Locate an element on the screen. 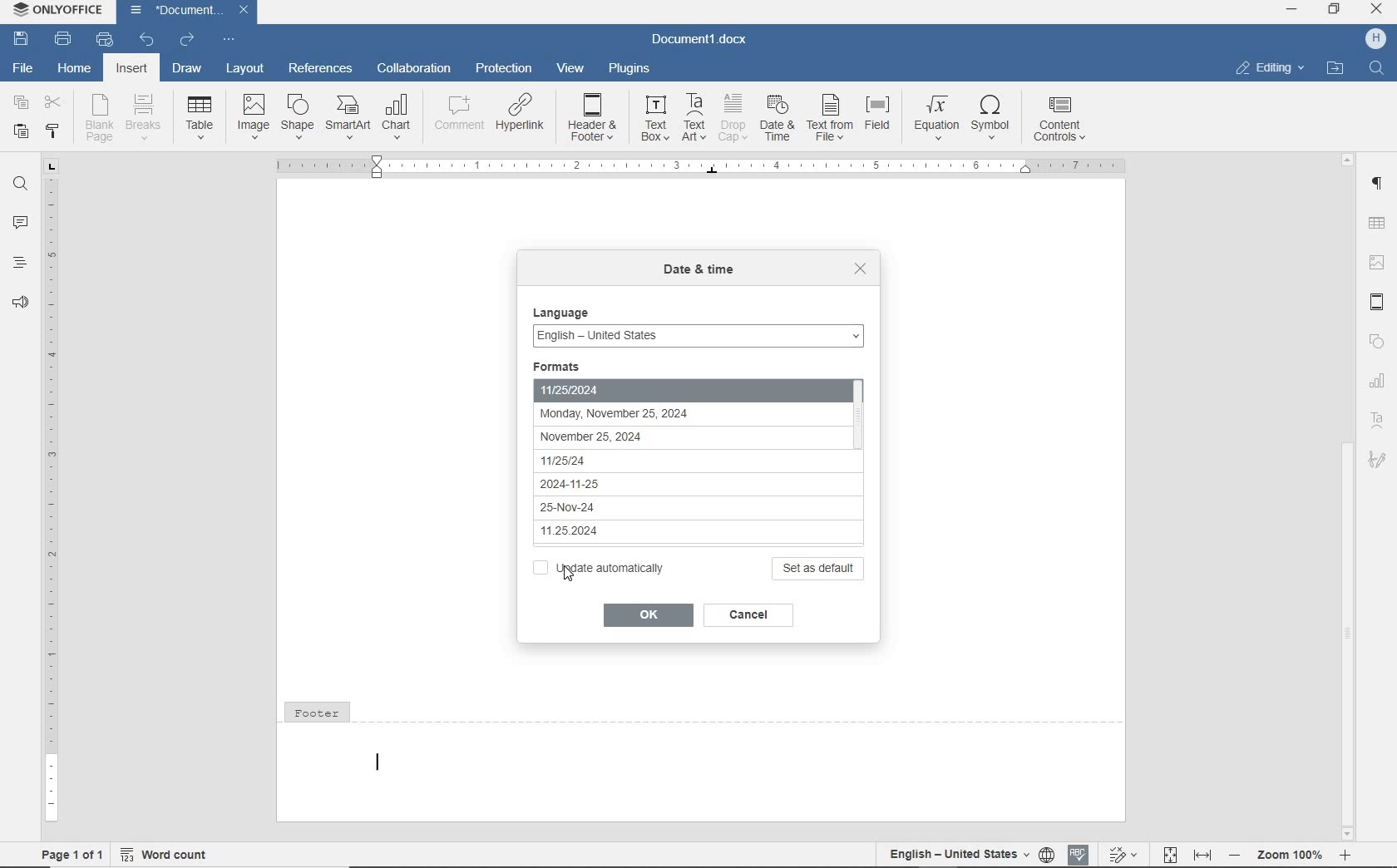  customize quick access toolbar is located at coordinates (229, 40).